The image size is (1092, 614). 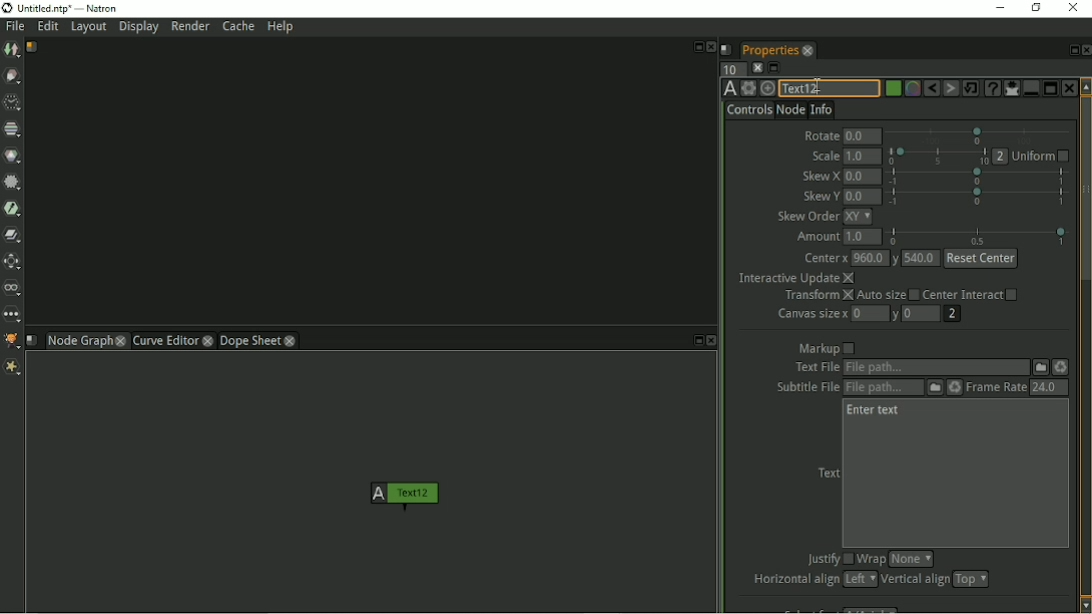 I want to click on text12, so click(x=404, y=498).